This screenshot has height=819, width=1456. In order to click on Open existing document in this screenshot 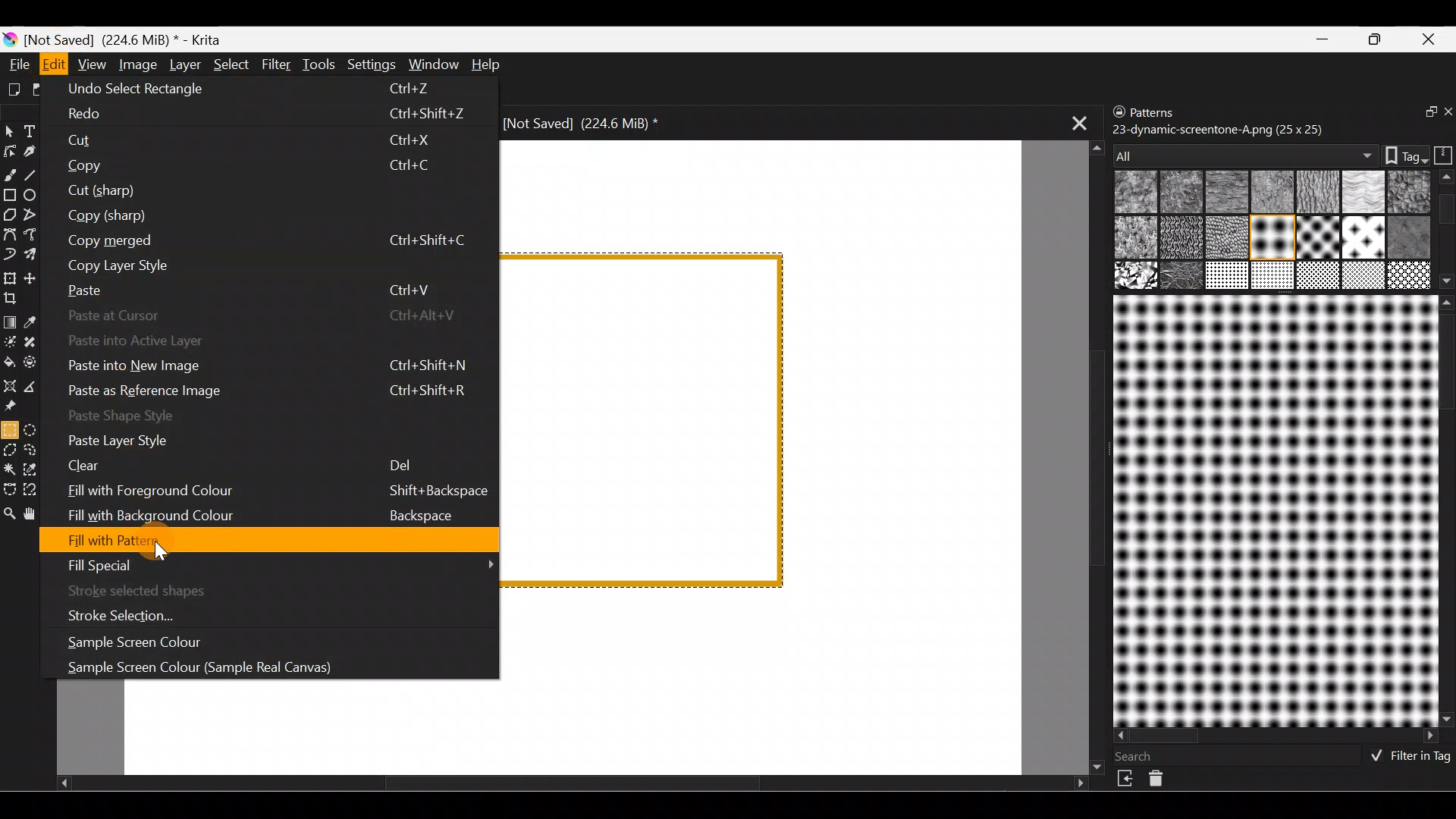, I will do `click(37, 87)`.